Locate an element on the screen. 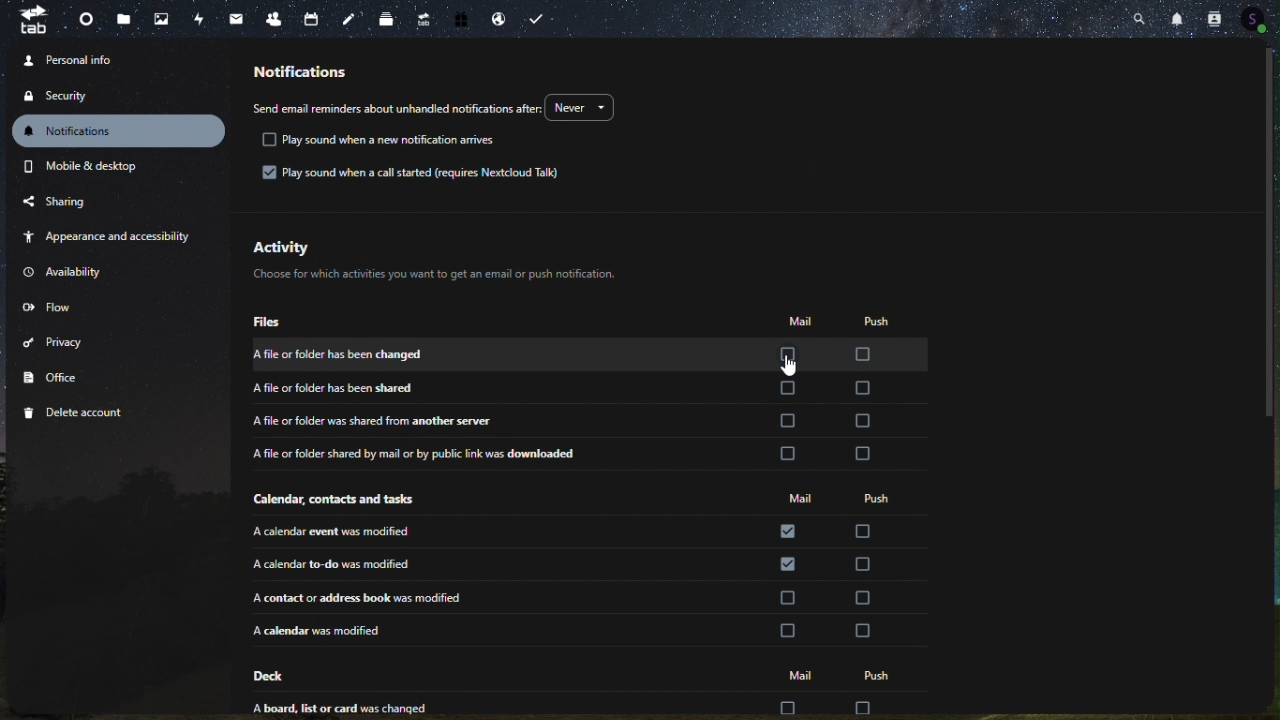 Image resolution: width=1280 pixels, height=720 pixels. check box is located at coordinates (864, 705).